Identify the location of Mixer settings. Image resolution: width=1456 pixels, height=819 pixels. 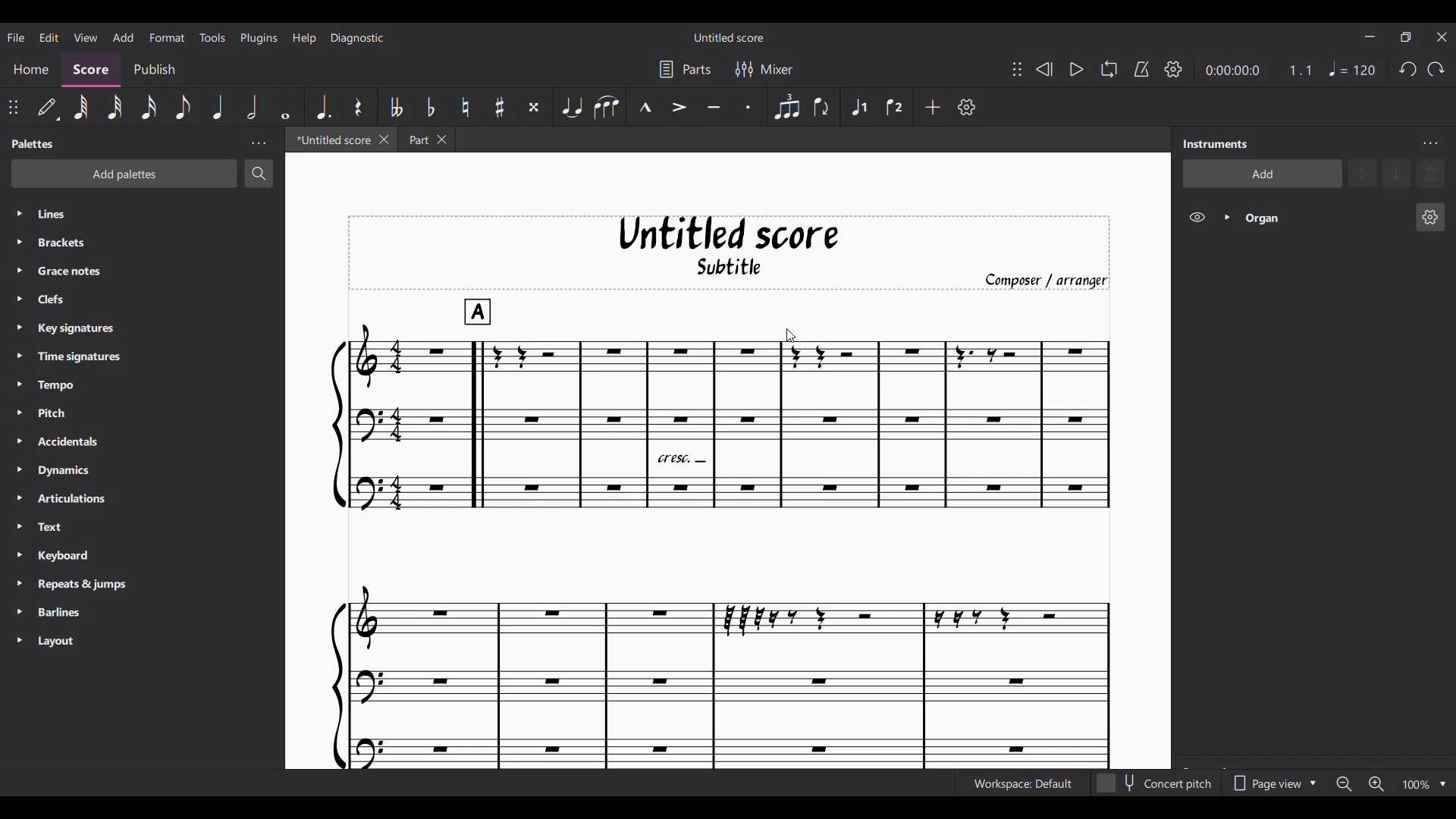
(765, 70).